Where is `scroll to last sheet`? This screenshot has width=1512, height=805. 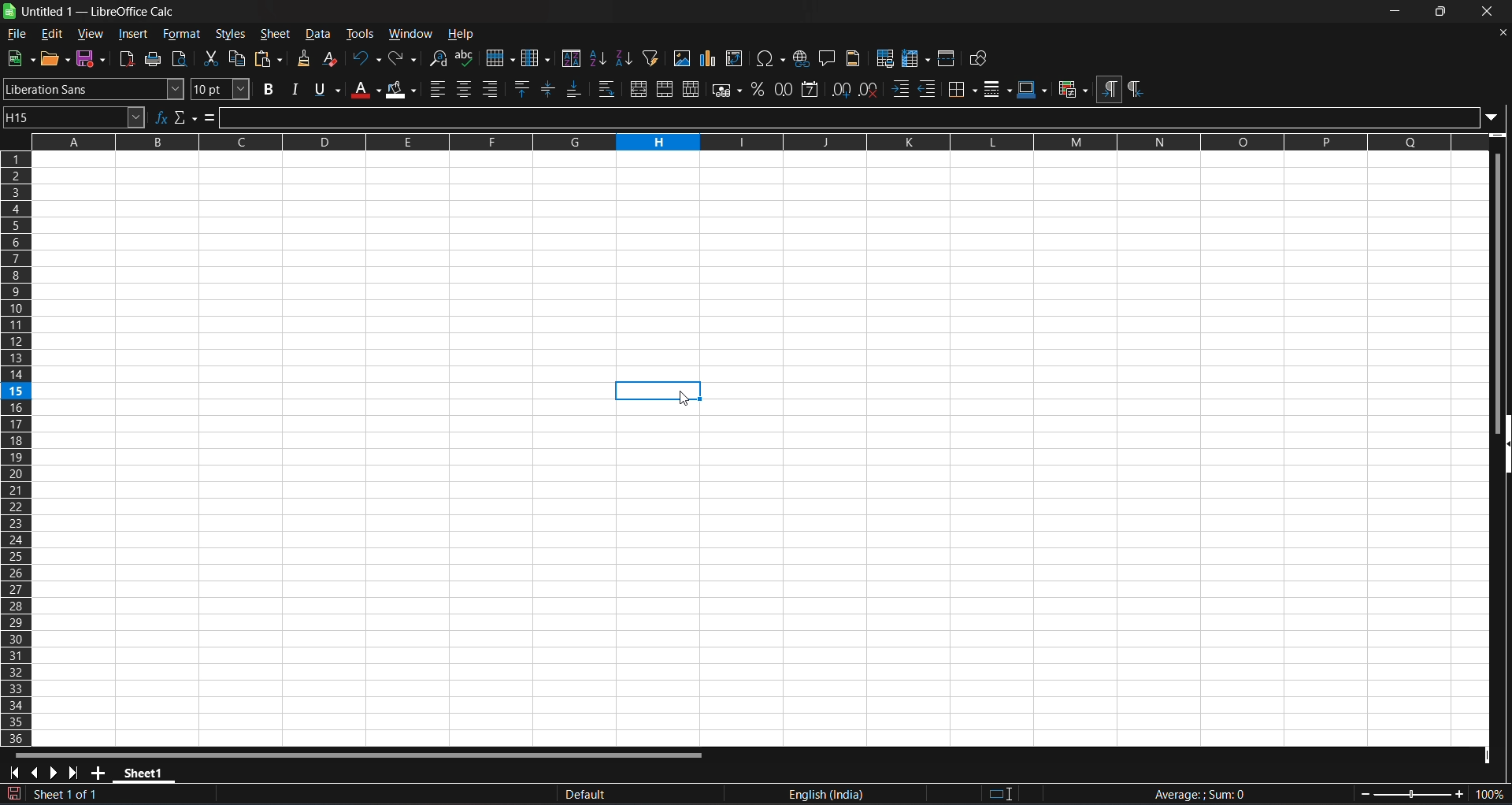 scroll to last sheet is located at coordinates (76, 772).